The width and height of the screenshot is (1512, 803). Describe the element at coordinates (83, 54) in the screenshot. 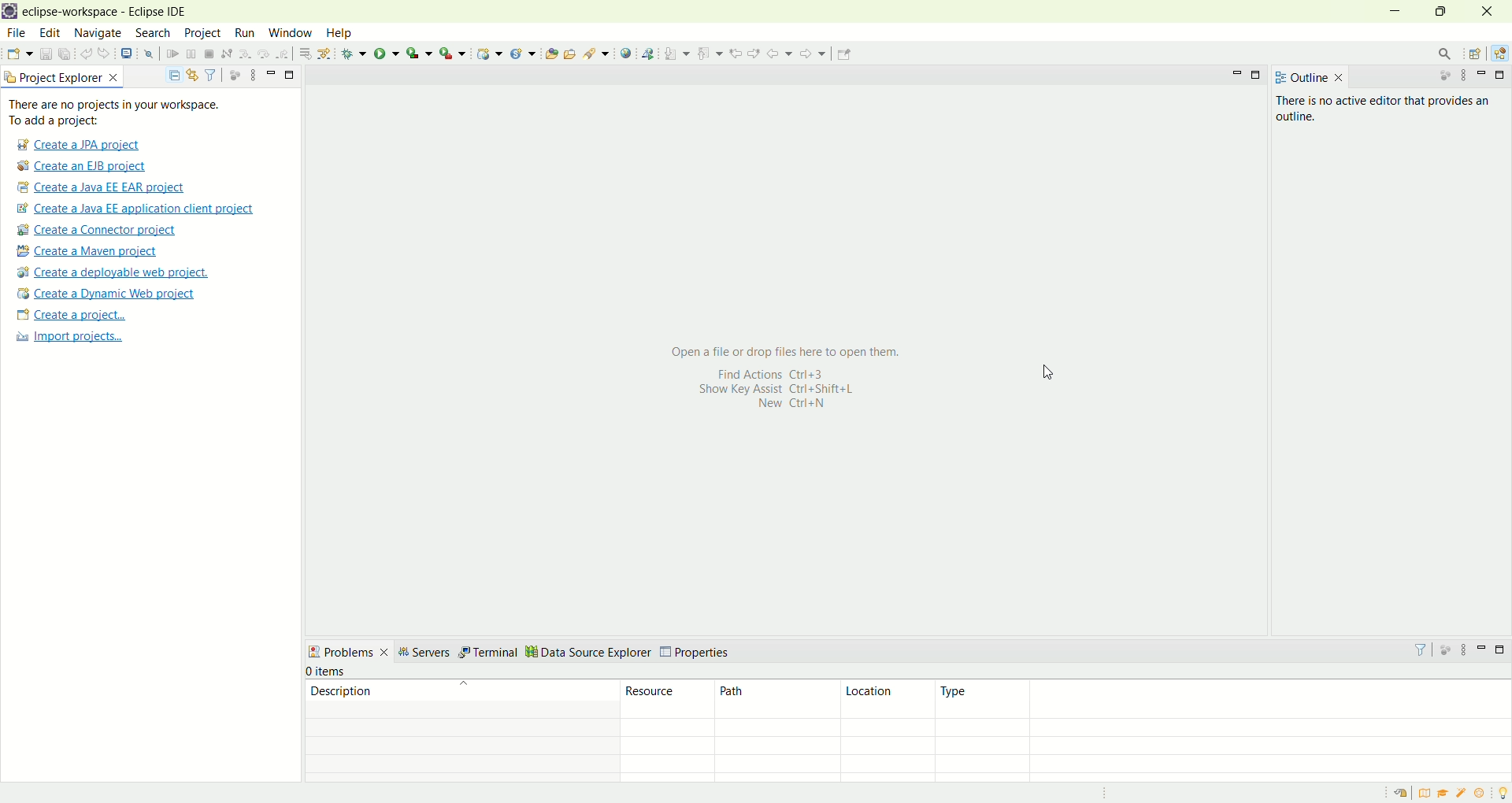

I see `undo` at that location.